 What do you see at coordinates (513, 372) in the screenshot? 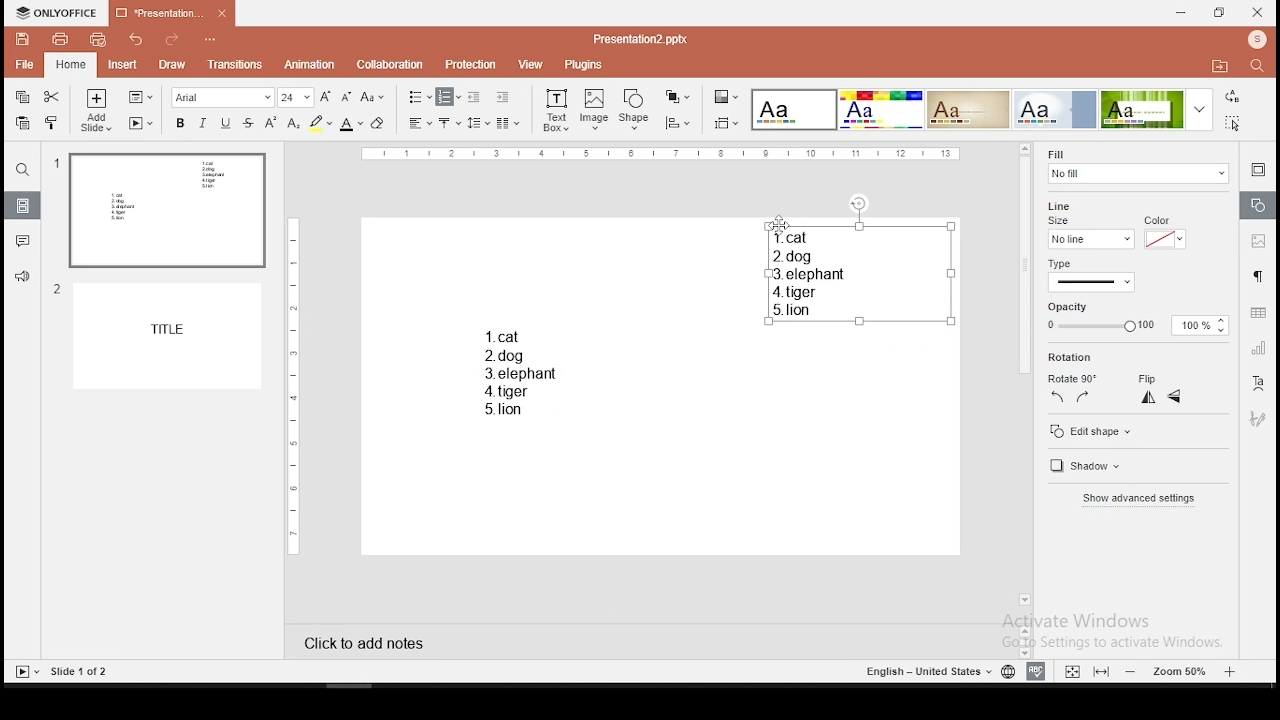
I see `text box` at bounding box center [513, 372].